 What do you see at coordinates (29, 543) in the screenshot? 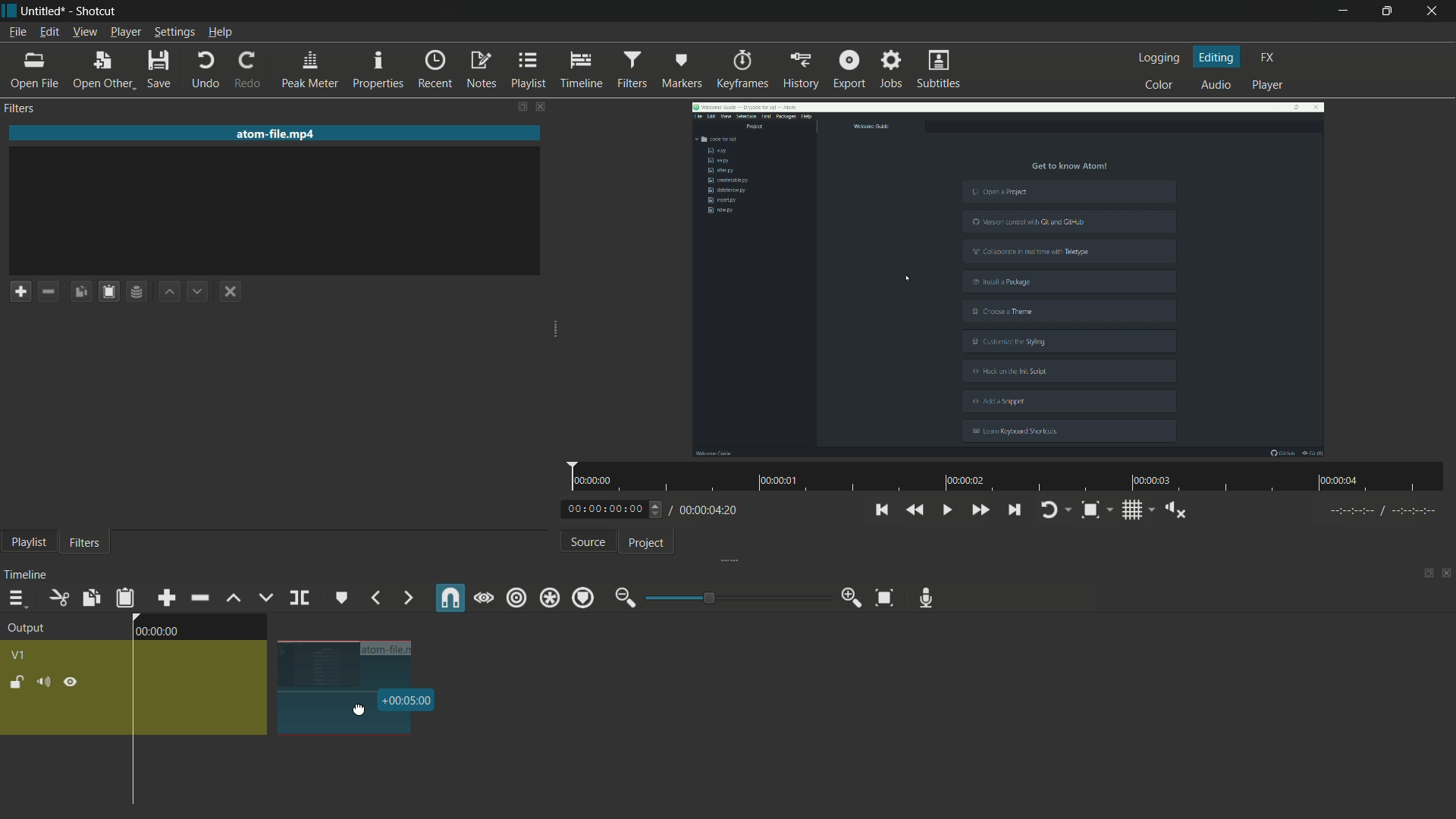
I see `playlist` at bounding box center [29, 543].